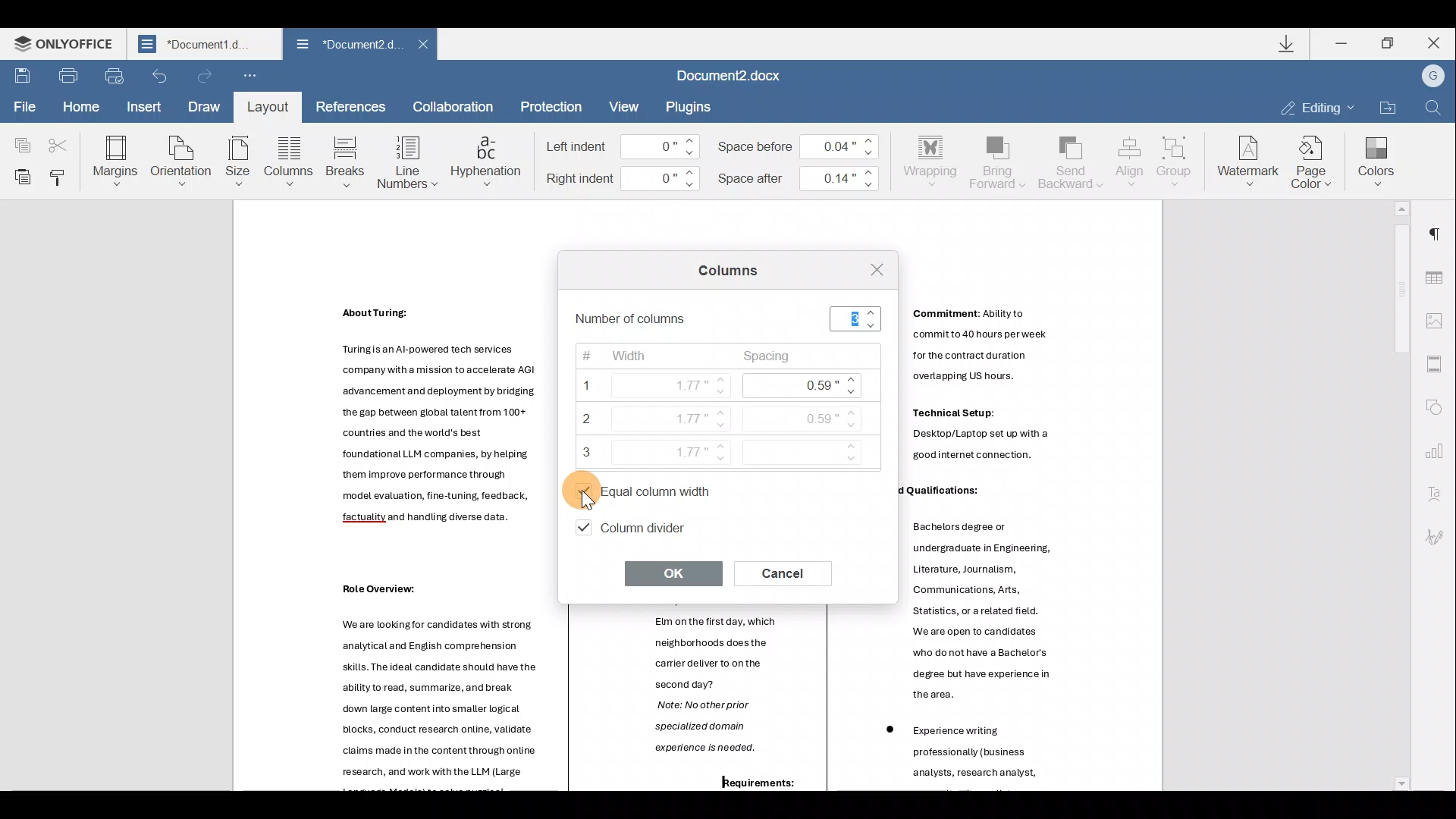 This screenshot has height=819, width=1456. What do you see at coordinates (347, 48) in the screenshot?
I see `Document2.d` at bounding box center [347, 48].